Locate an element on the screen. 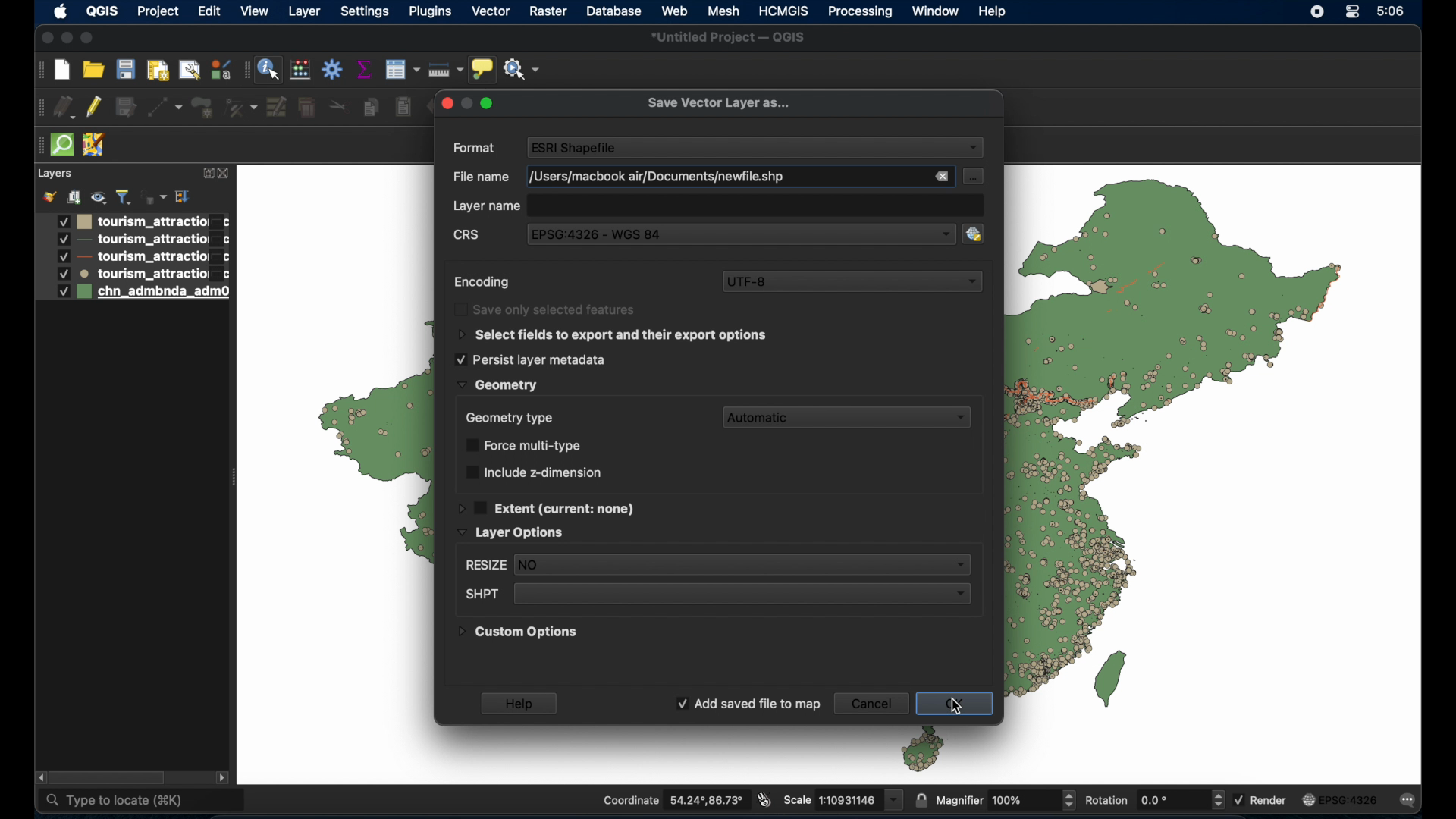 The width and height of the screenshot is (1456, 819). QGIS is located at coordinates (102, 11).